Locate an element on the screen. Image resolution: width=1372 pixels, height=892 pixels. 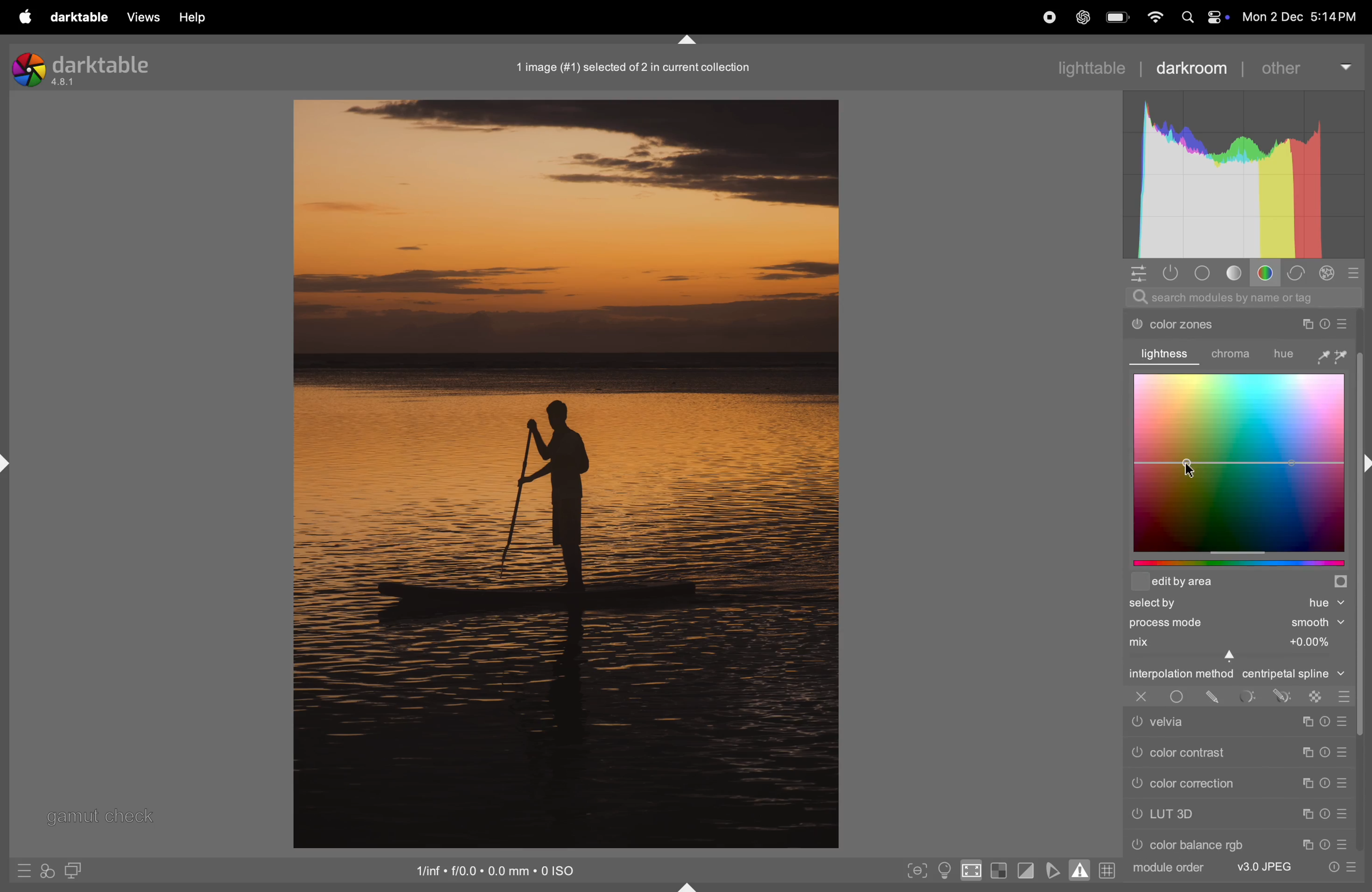
color contrast is located at coordinates (1202, 751).